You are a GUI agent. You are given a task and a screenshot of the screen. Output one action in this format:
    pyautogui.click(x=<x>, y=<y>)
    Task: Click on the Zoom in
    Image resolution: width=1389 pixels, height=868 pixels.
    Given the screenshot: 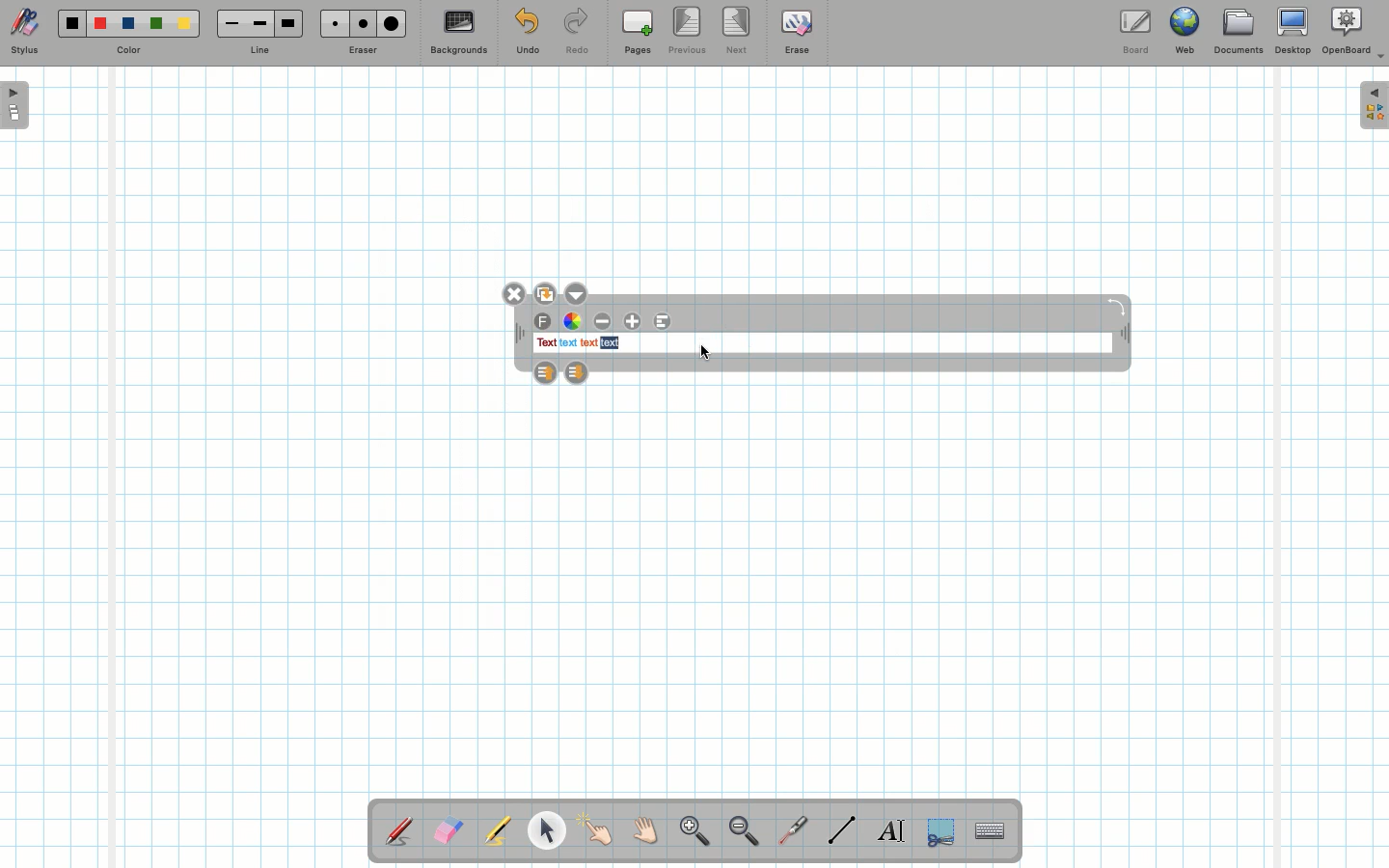 What is the action you would take?
    pyautogui.click(x=690, y=833)
    